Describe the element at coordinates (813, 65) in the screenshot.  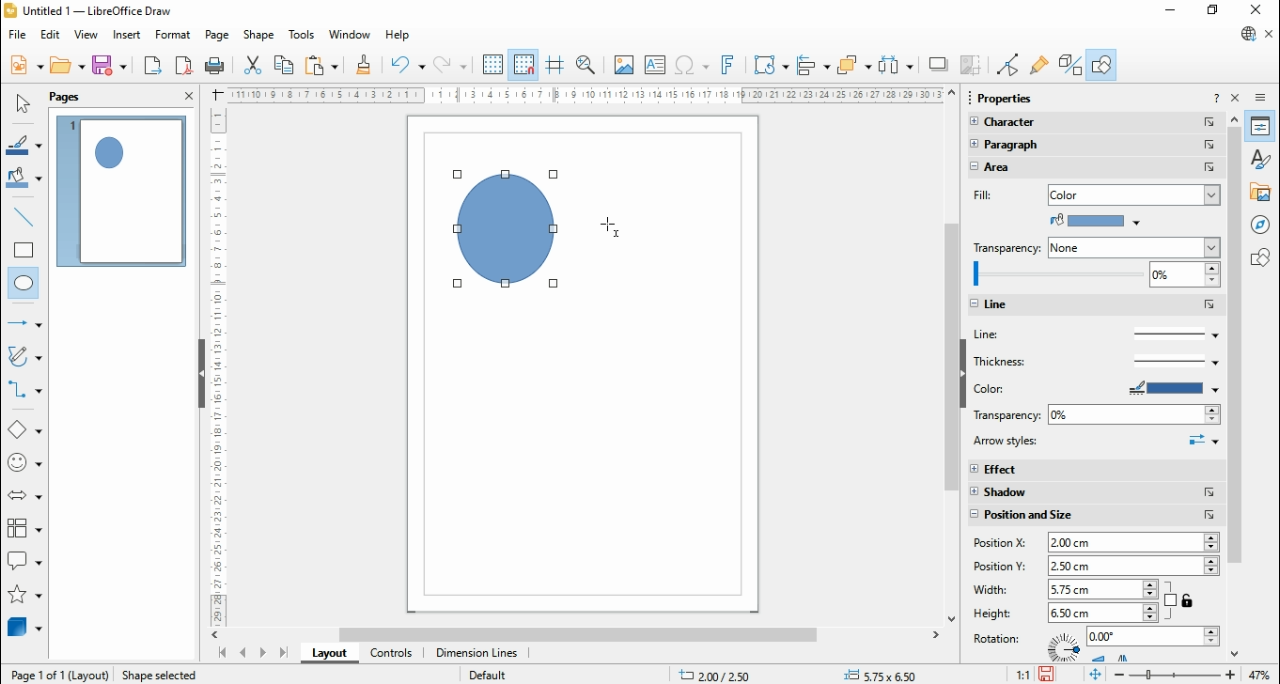
I see `align  objects` at that location.